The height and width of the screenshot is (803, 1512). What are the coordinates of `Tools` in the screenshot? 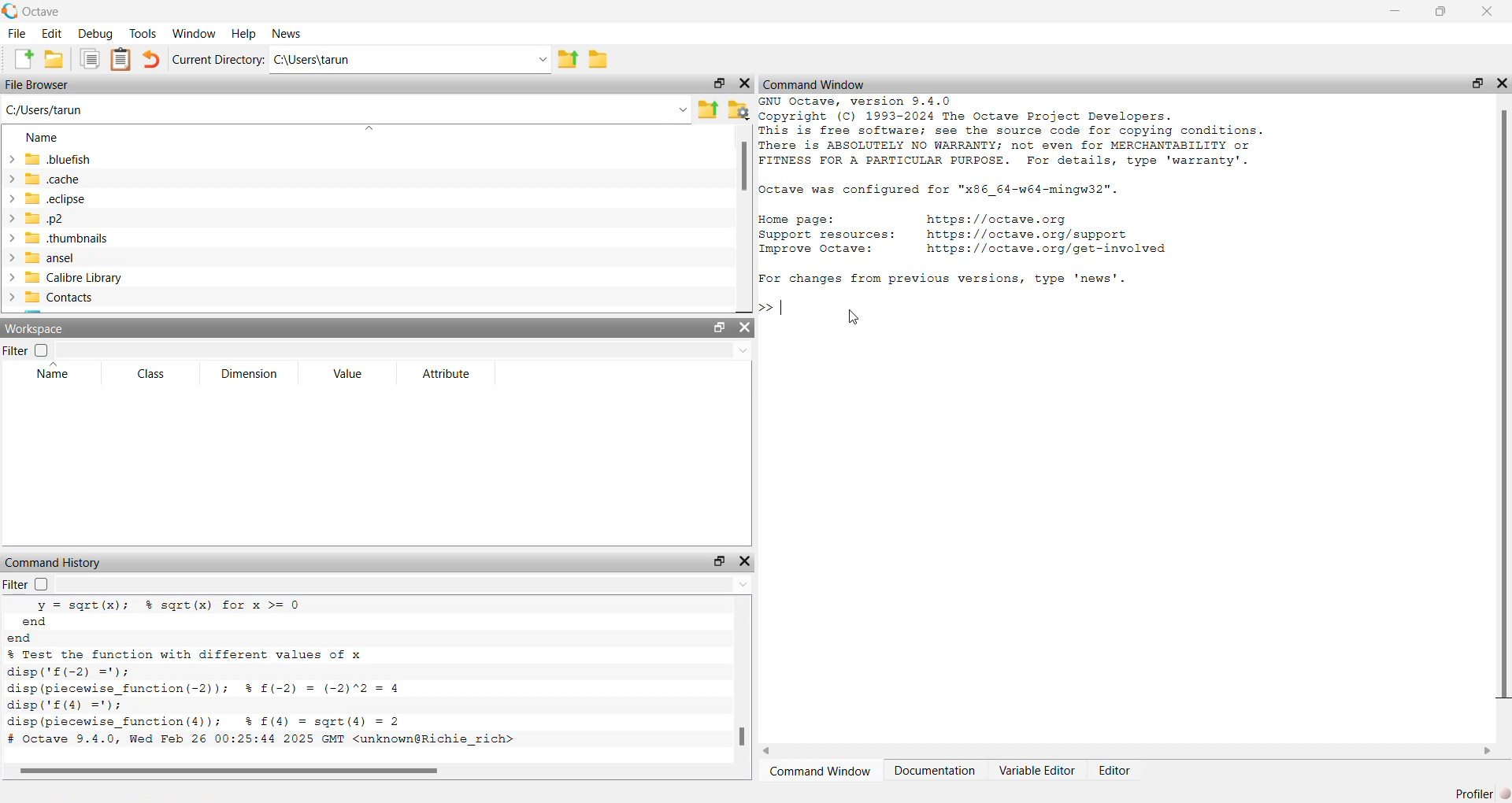 It's located at (143, 32).